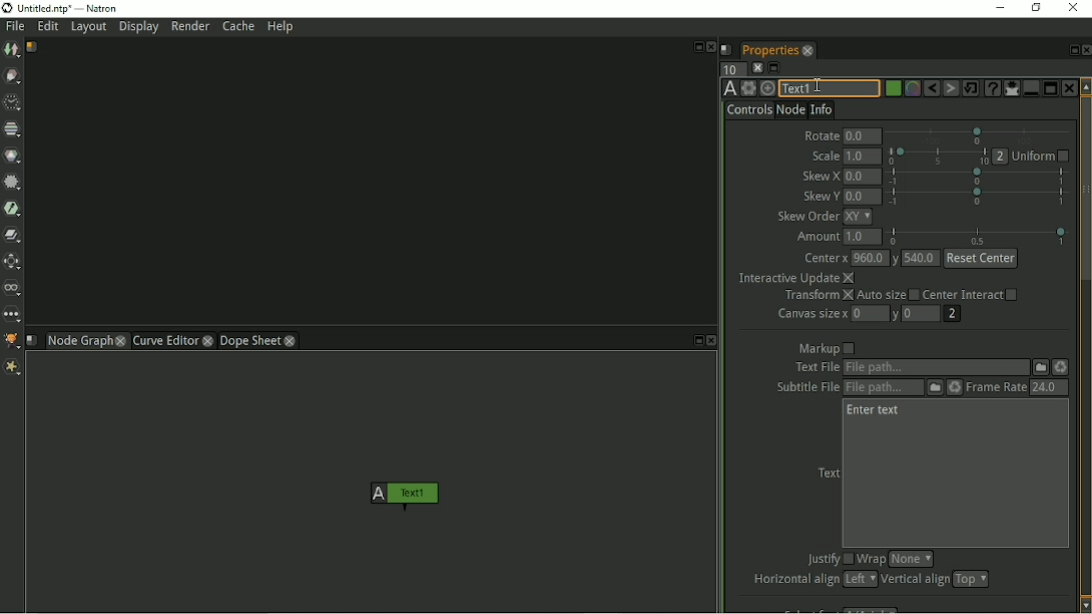 Image resolution: width=1092 pixels, height=614 pixels. What do you see at coordinates (980, 196) in the screenshot?
I see `selection bar` at bounding box center [980, 196].